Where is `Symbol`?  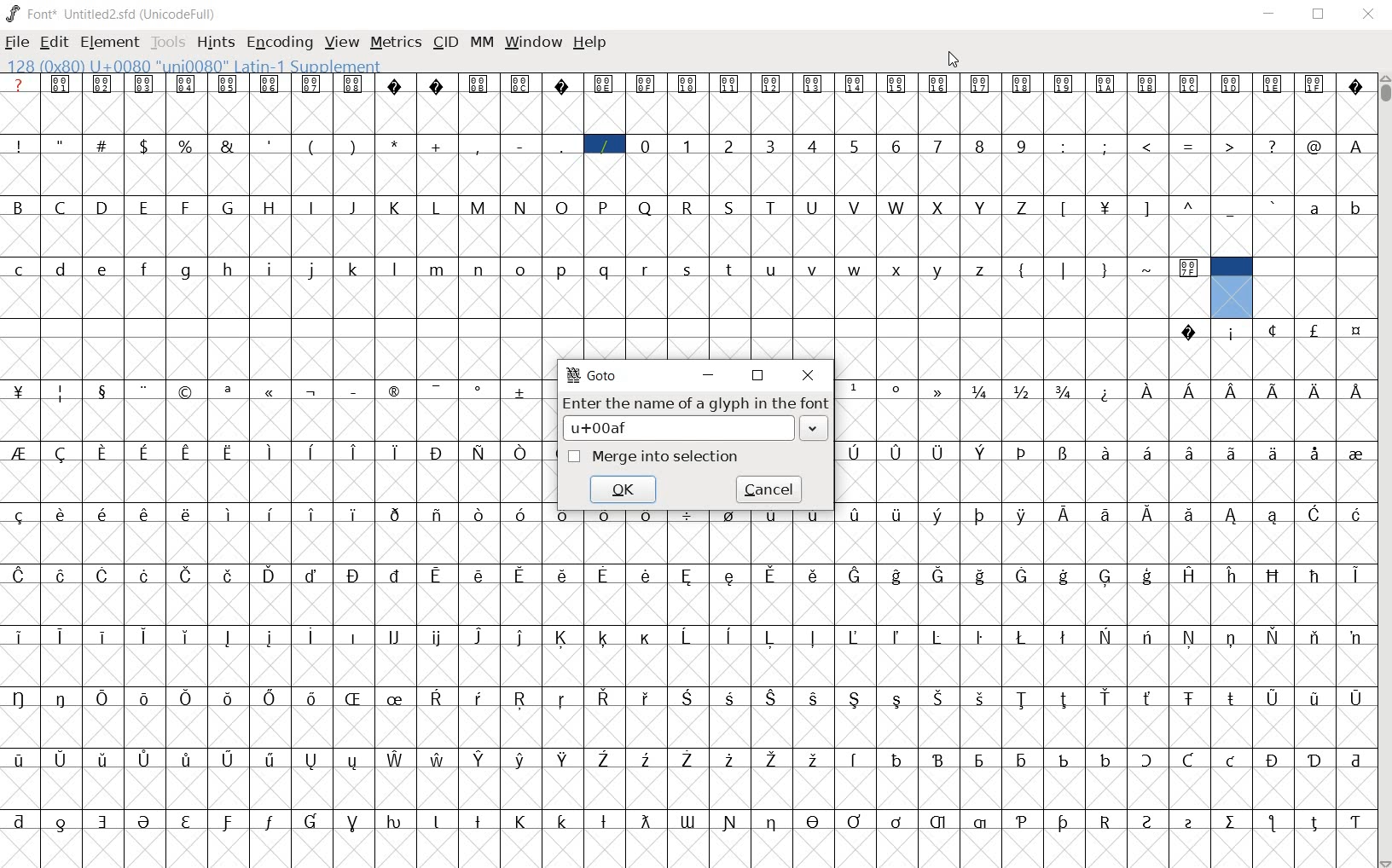
Symbol is located at coordinates (63, 85).